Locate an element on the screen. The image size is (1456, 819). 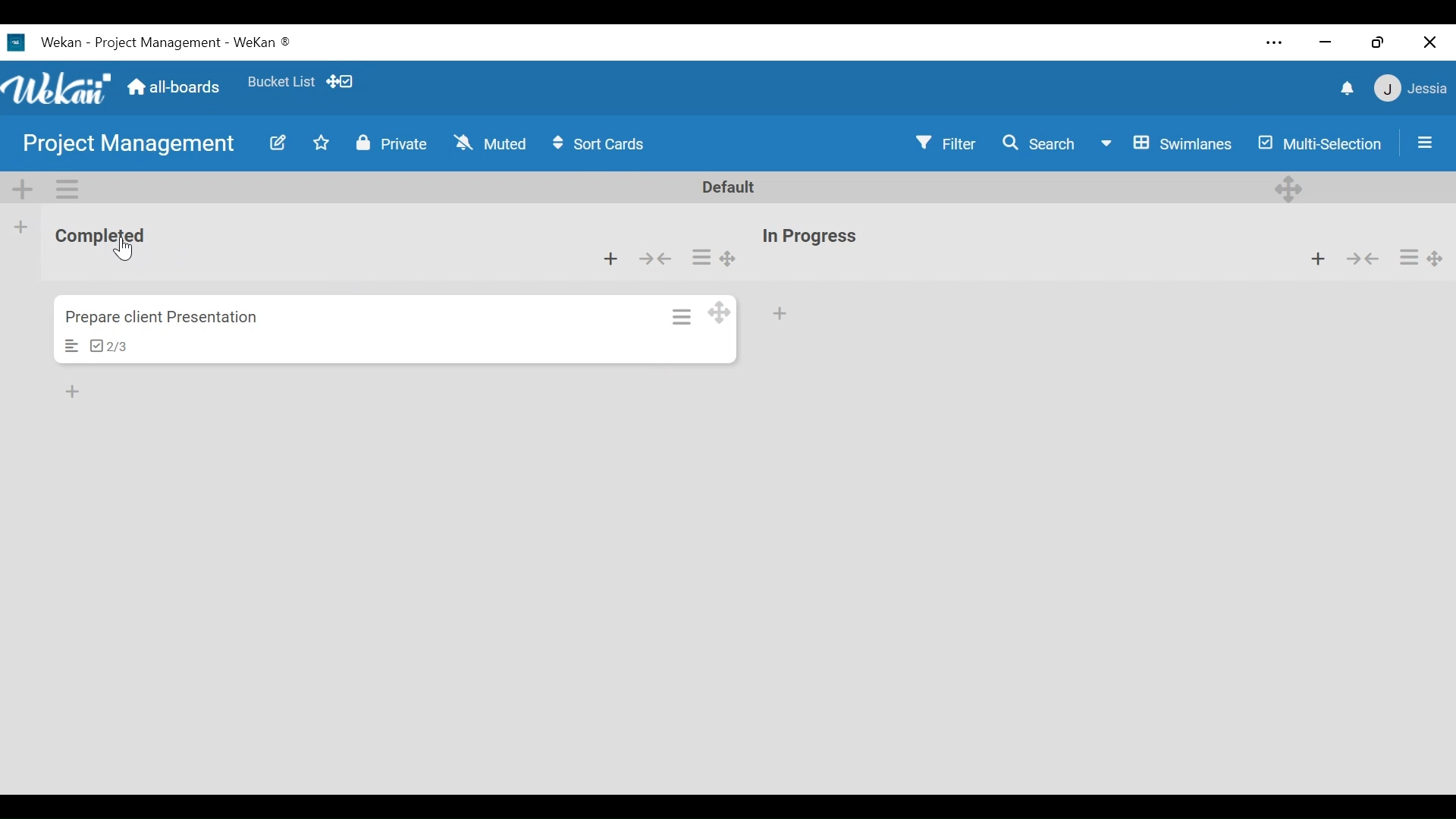
Filter is located at coordinates (944, 143).